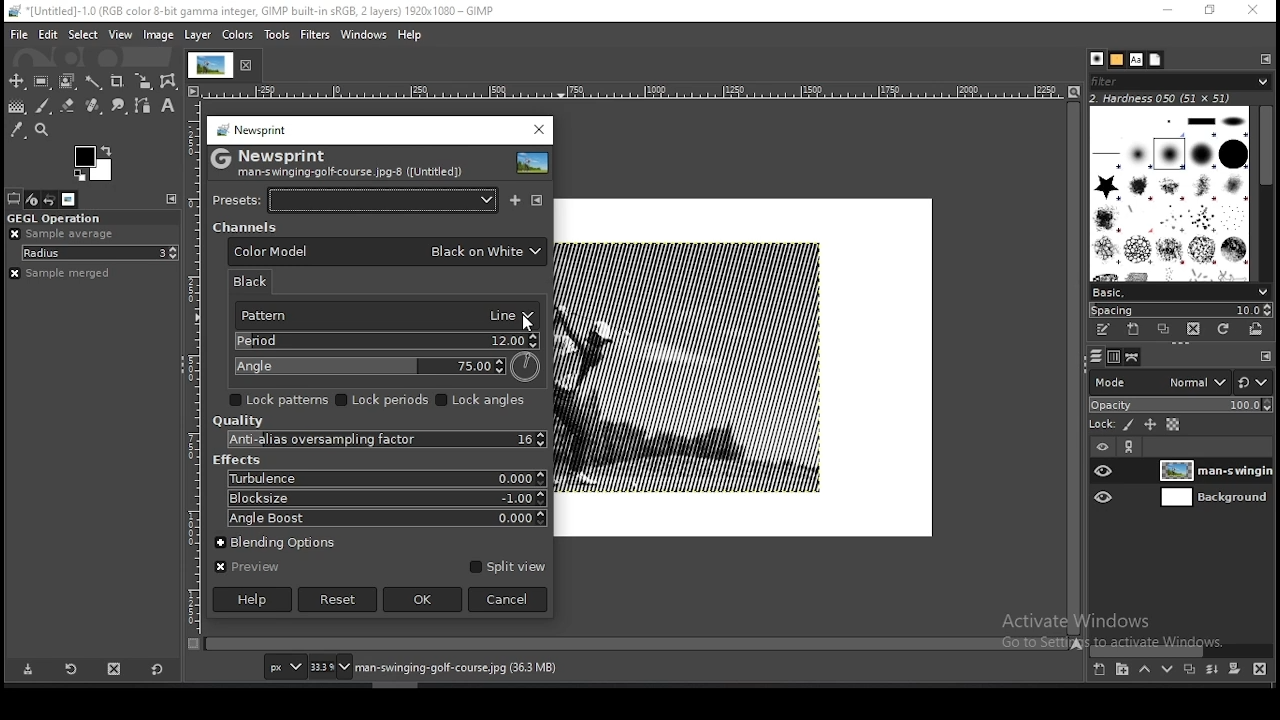 The image size is (1280, 720). Describe the element at coordinates (364, 35) in the screenshot. I see `windows` at that location.